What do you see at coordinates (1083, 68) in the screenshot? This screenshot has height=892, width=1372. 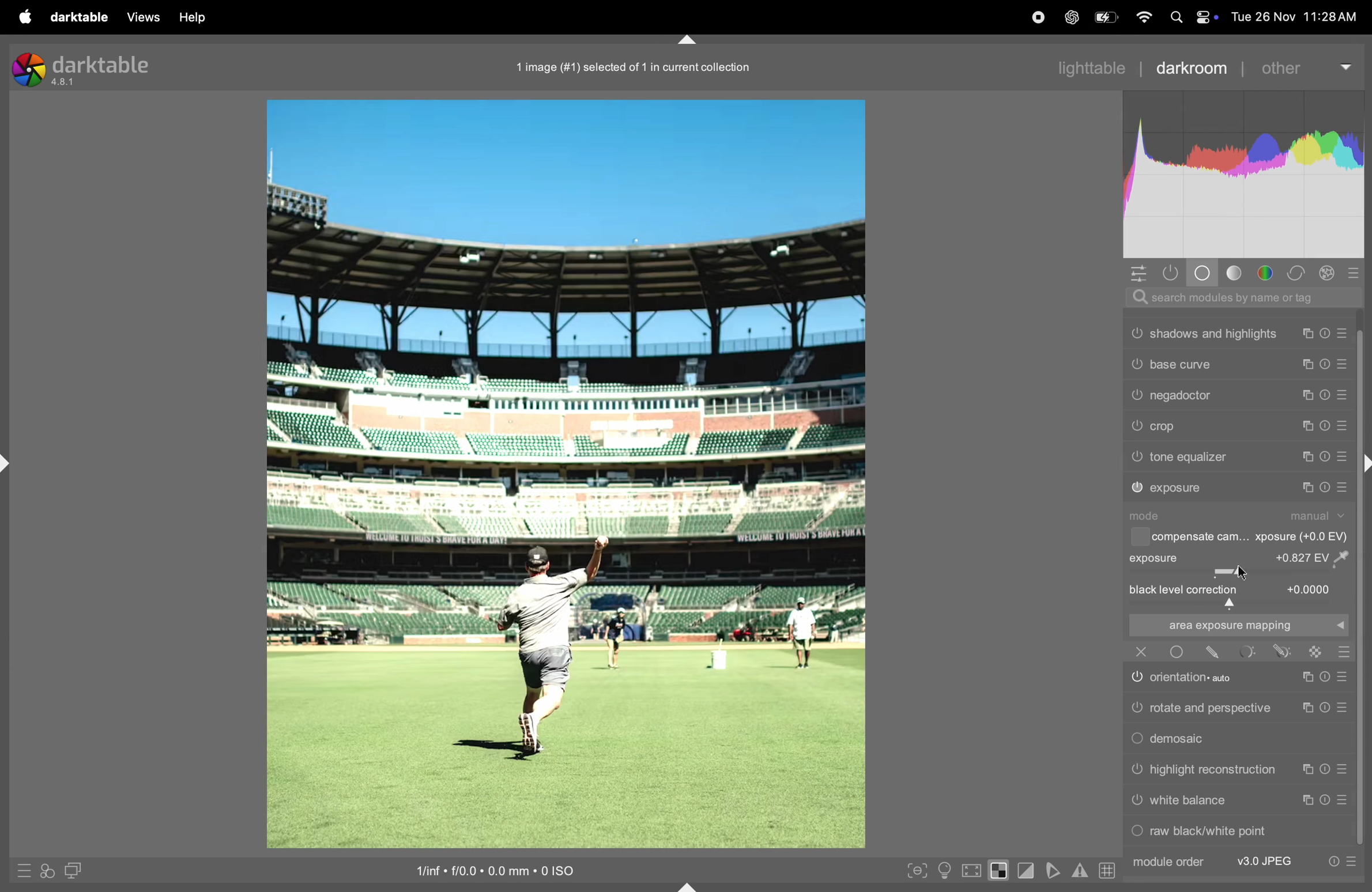 I see `lightable` at bounding box center [1083, 68].